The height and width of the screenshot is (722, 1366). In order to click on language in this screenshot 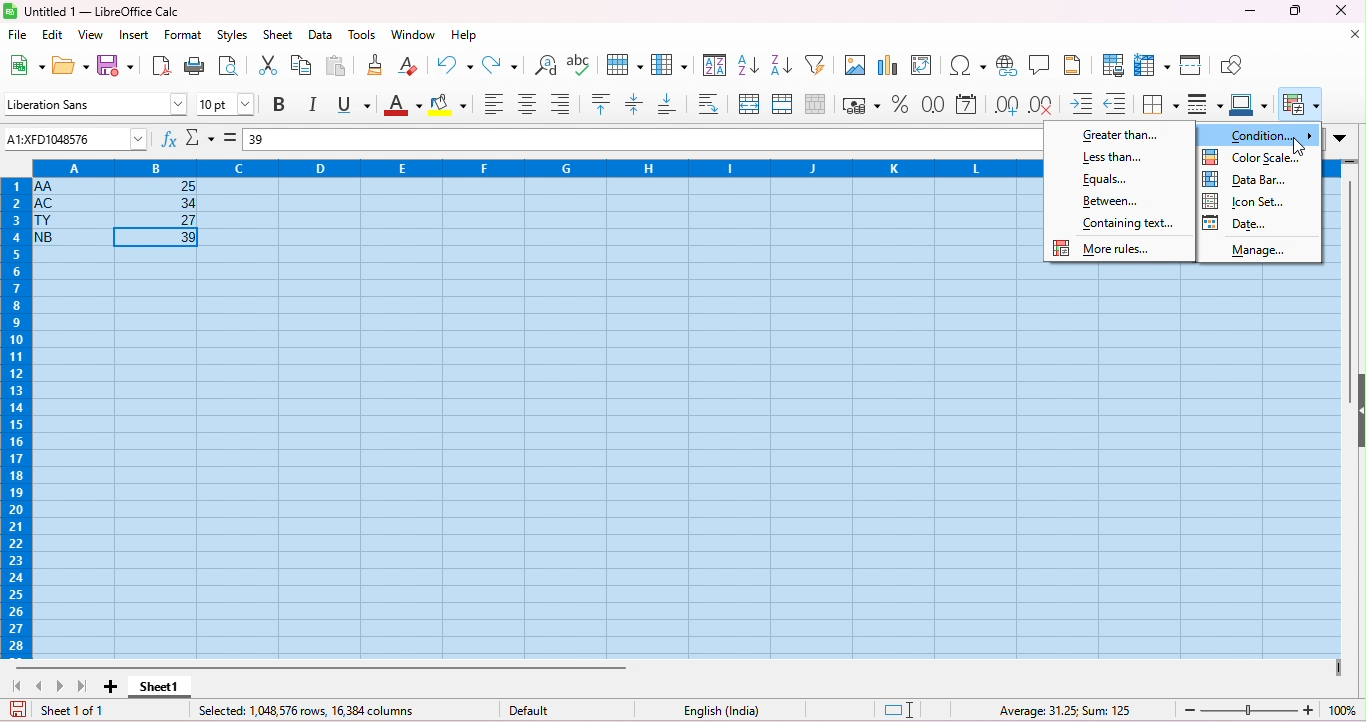, I will do `click(715, 708)`.